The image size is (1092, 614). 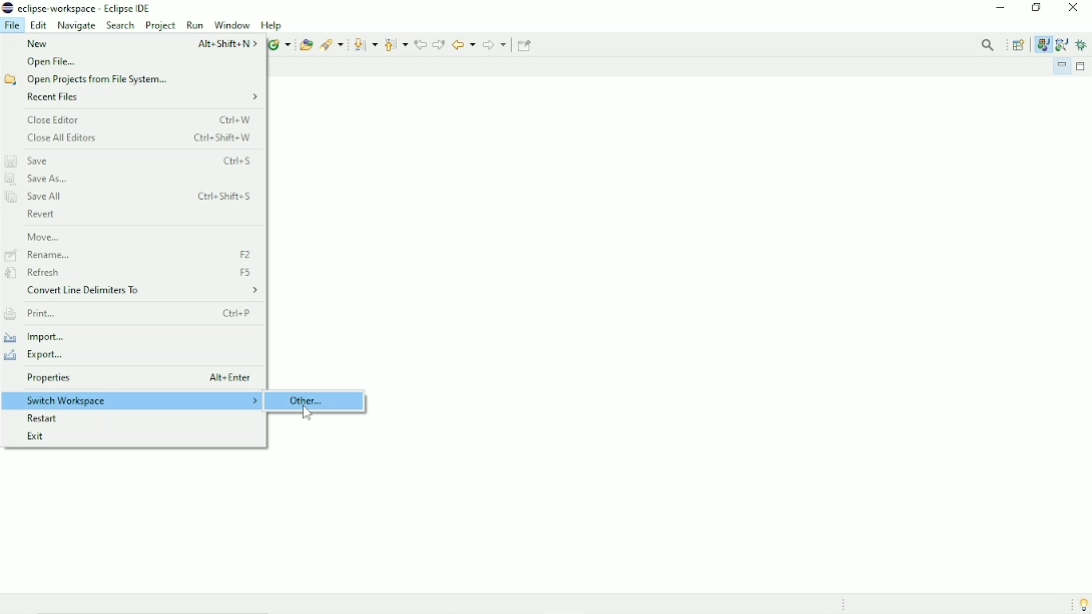 What do you see at coordinates (131, 160) in the screenshot?
I see `Save` at bounding box center [131, 160].